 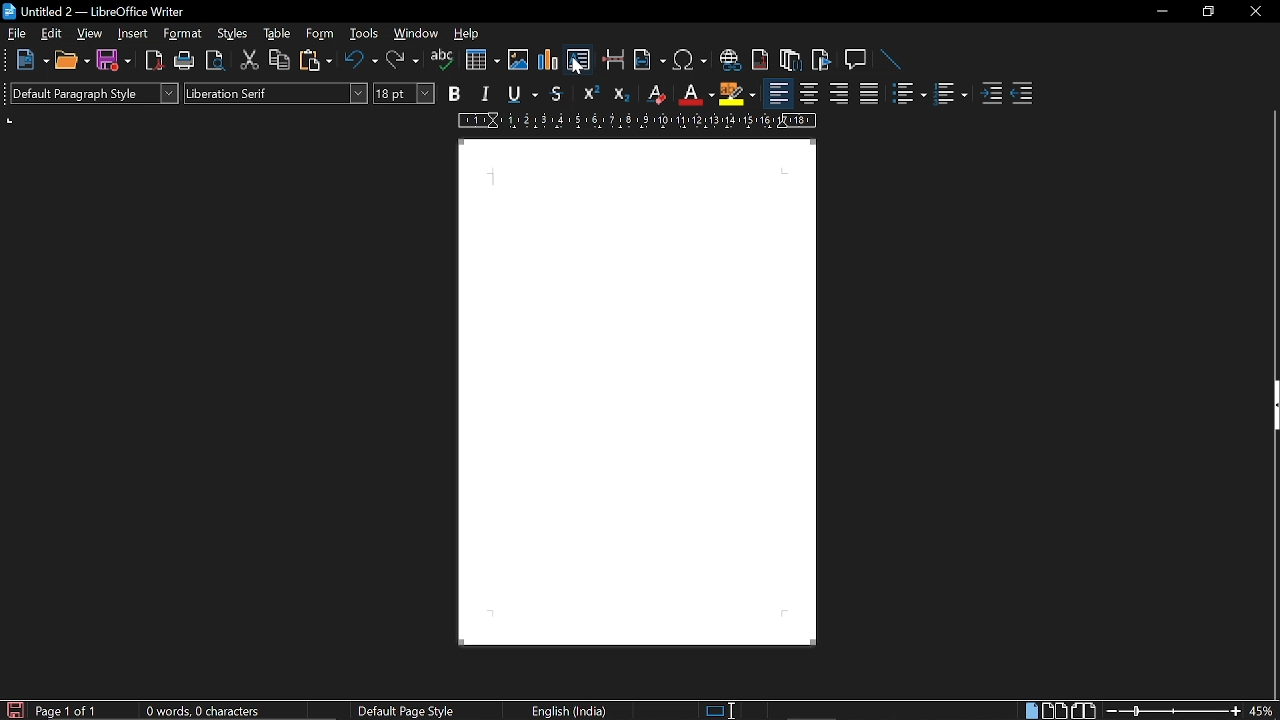 I want to click on insert chart, so click(x=483, y=60).